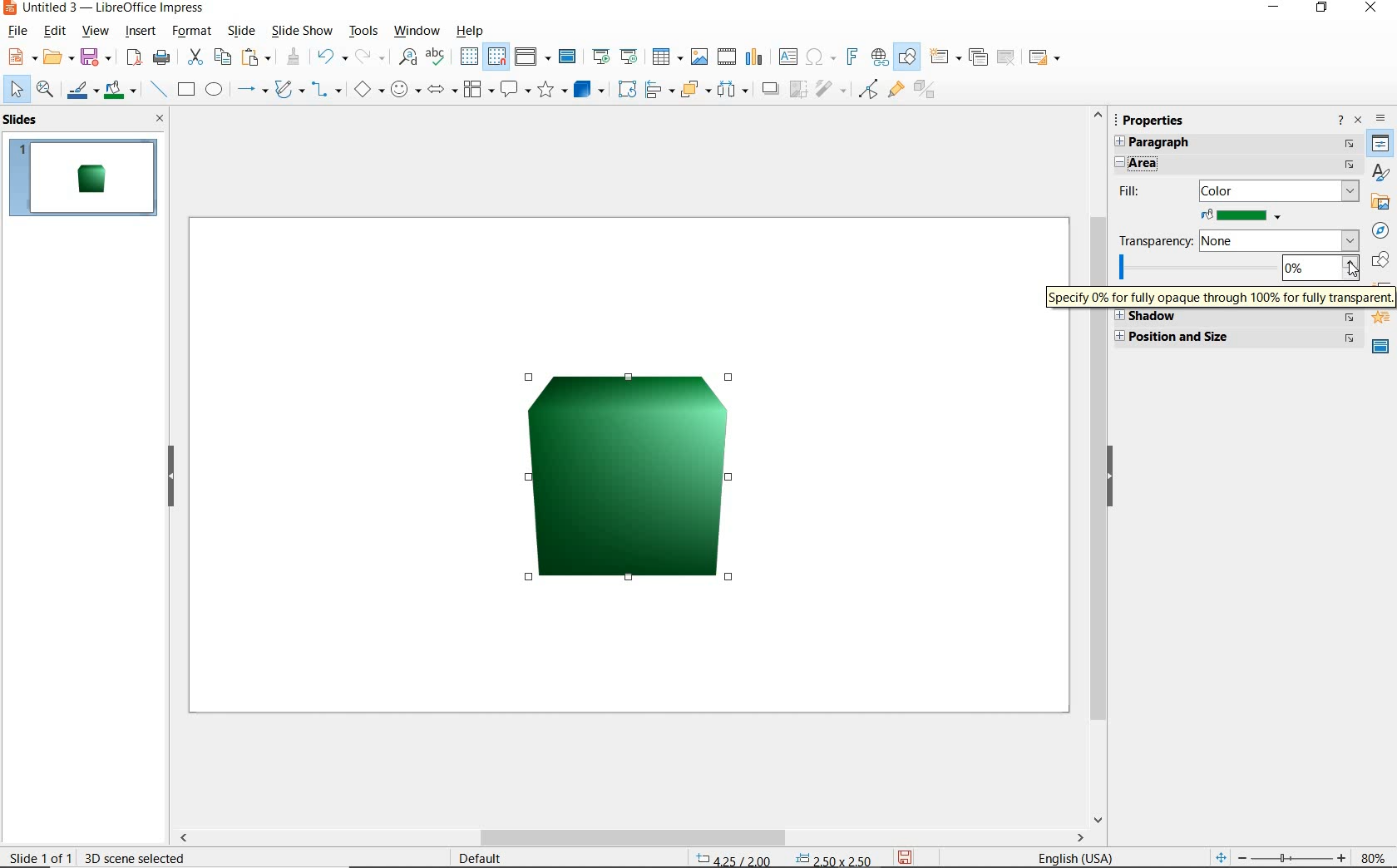 This screenshot has height=868, width=1397. Describe the element at coordinates (442, 89) in the screenshot. I see `block arrows` at that location.